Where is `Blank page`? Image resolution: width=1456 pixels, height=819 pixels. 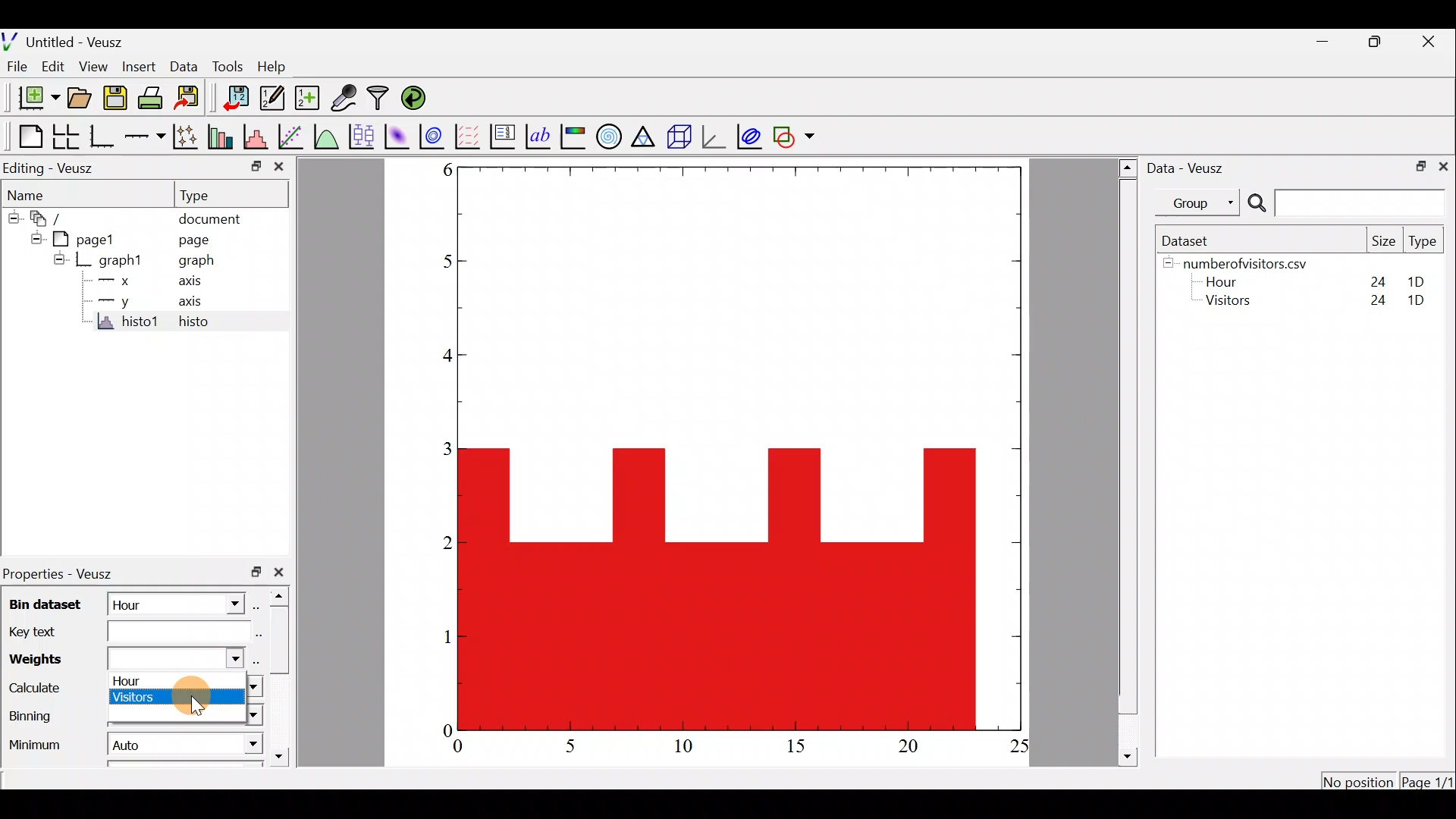 Blank page is located at coordinates (26, 135).